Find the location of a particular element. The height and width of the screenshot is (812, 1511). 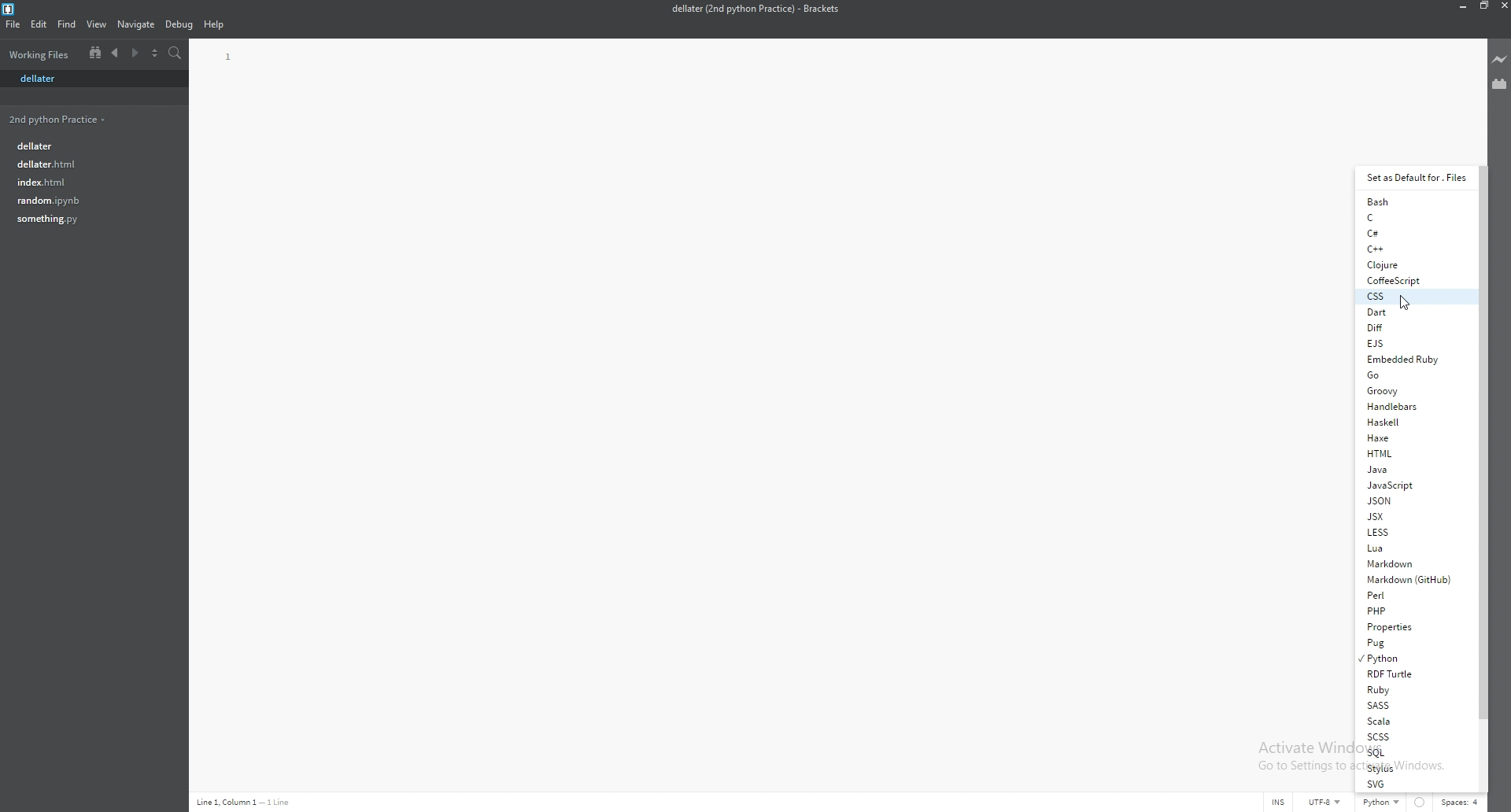

file is located at coordinates (86, 200).